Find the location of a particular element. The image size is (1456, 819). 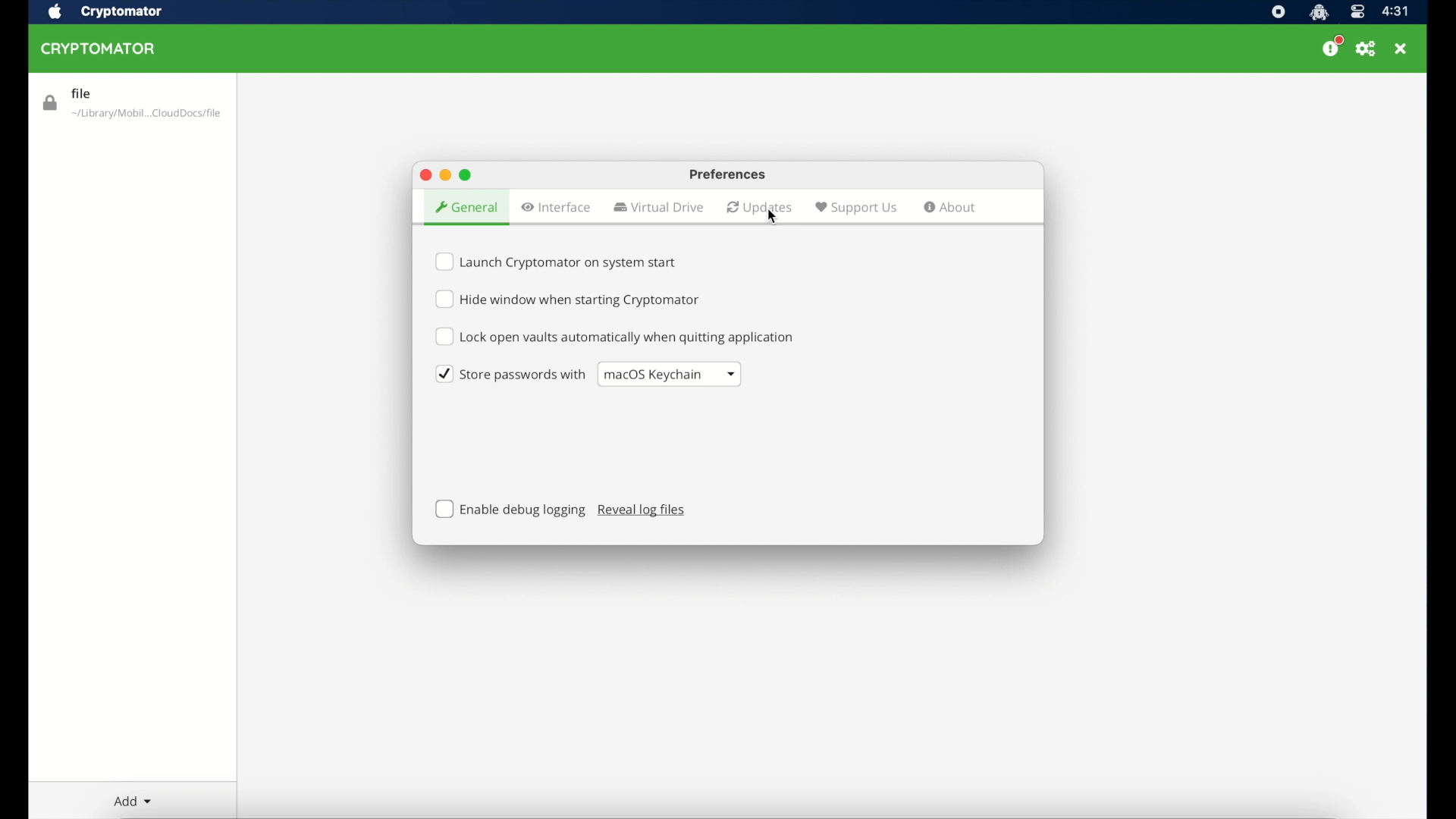

dropdown is located at coordinates (669, 374).